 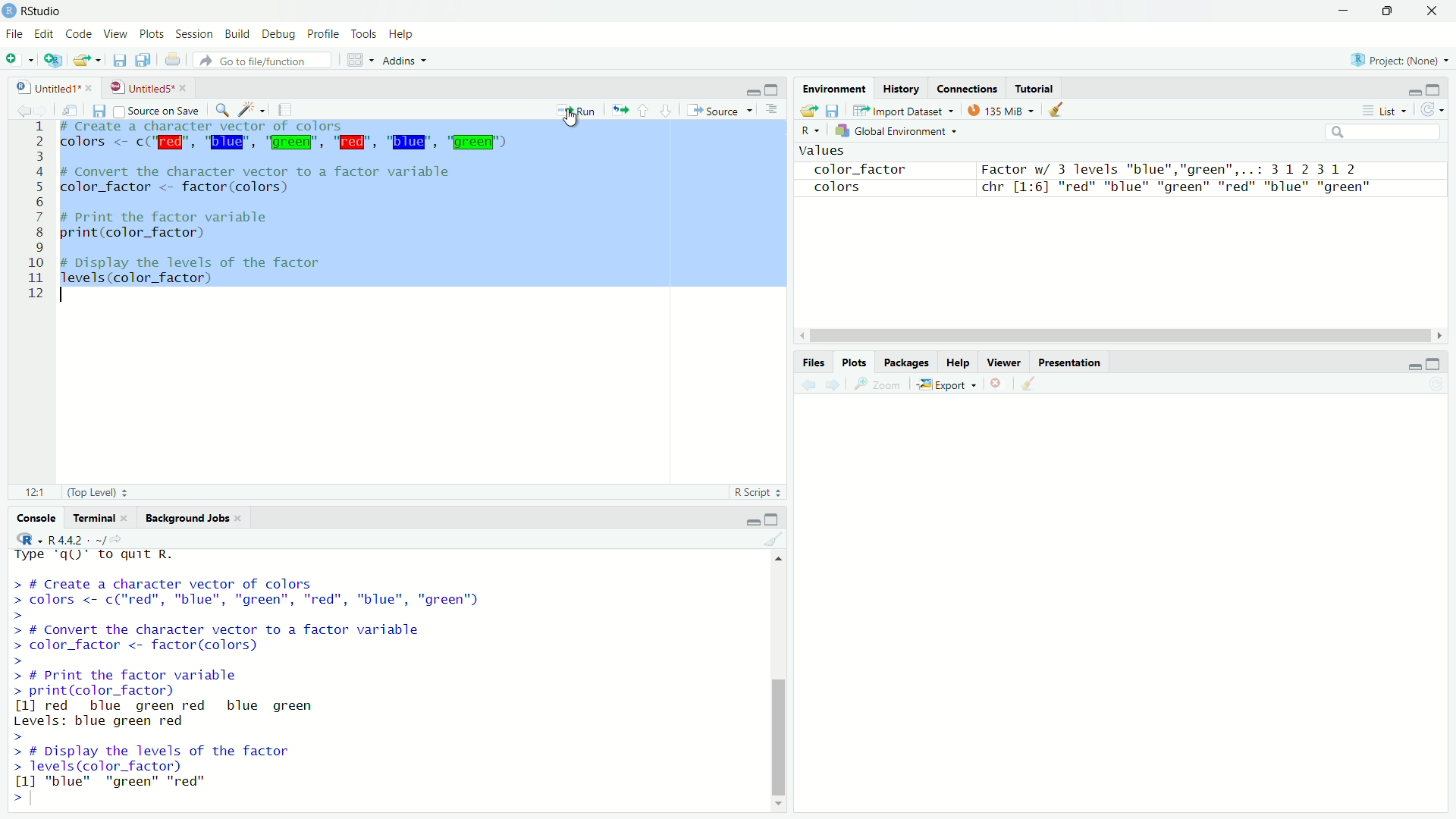 I want to click on import dataset, so click(x=905, y=109).